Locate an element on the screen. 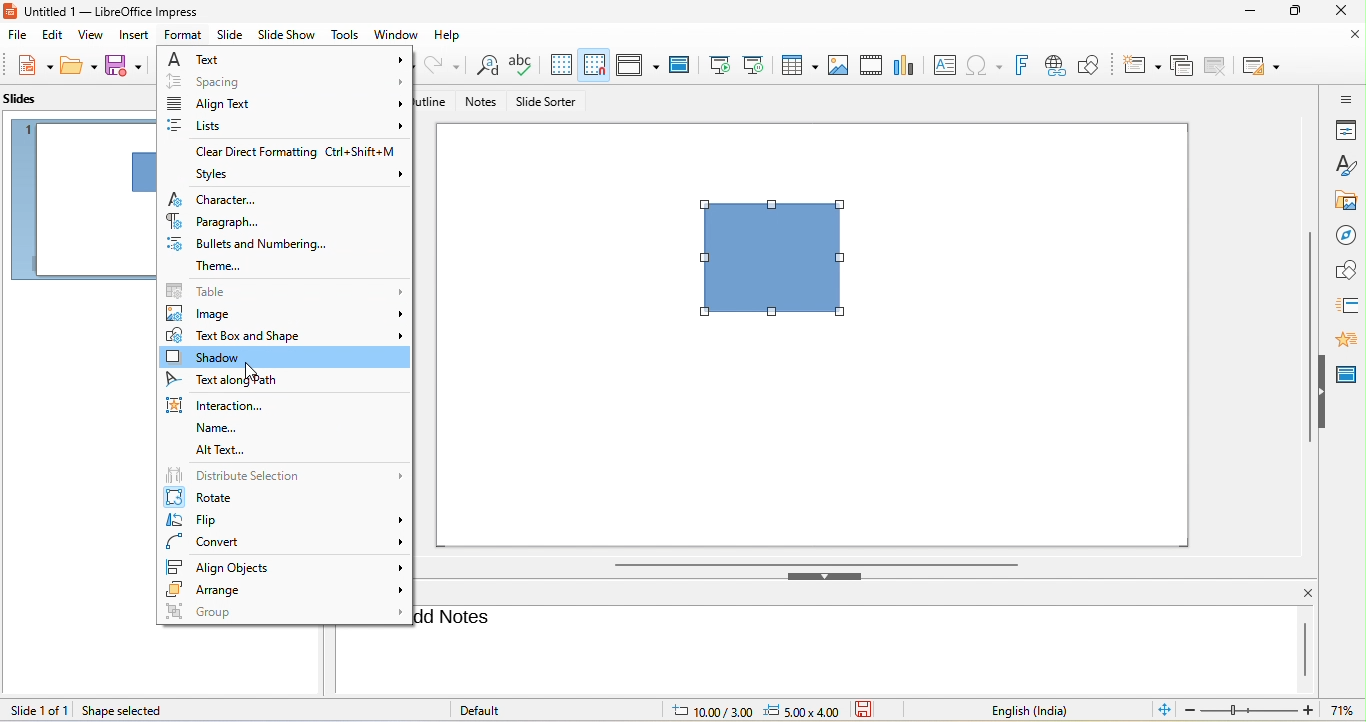  special character is located at coordinates (989, 65).